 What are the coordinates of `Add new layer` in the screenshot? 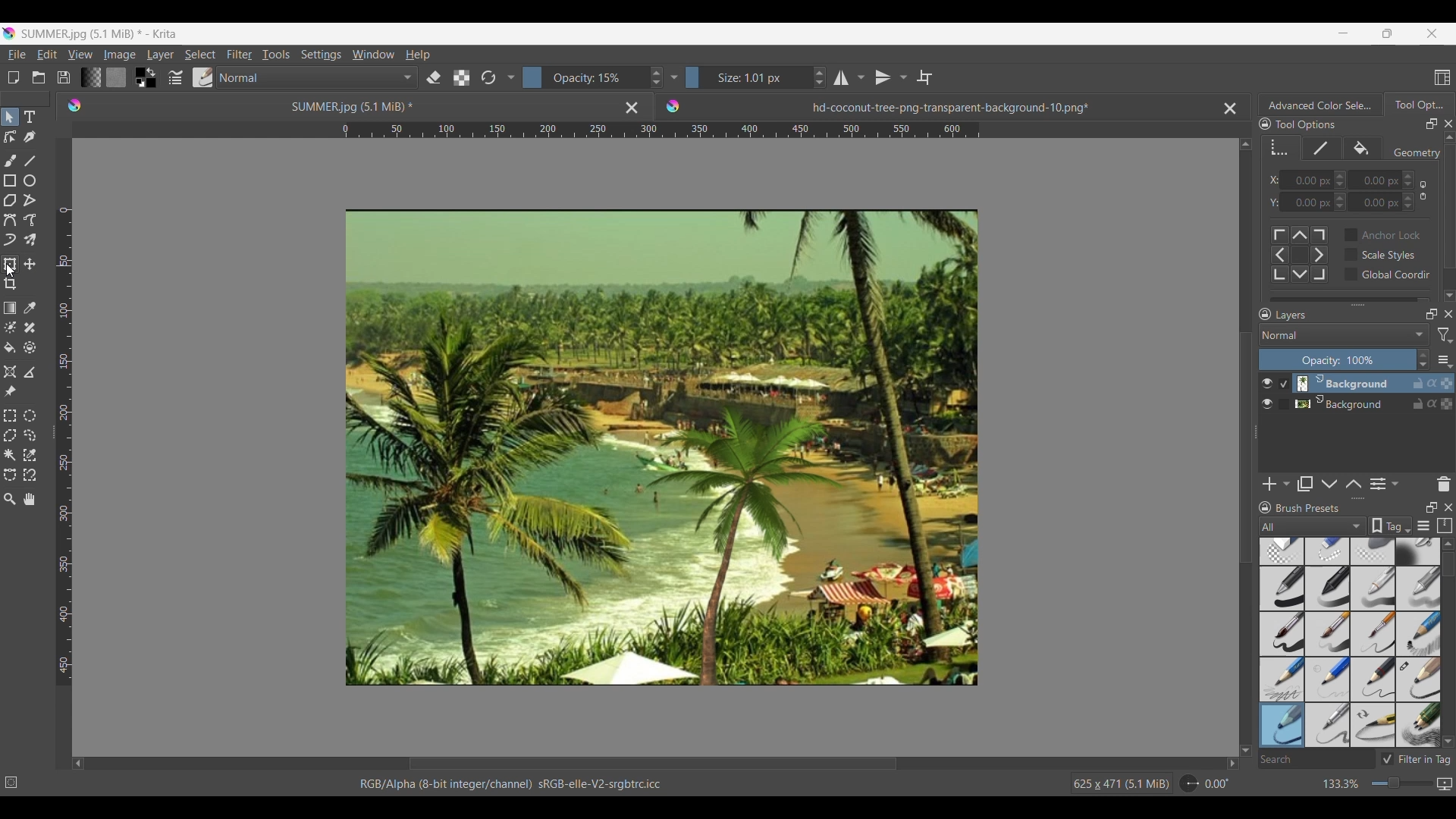 It's located at (1270, 484).